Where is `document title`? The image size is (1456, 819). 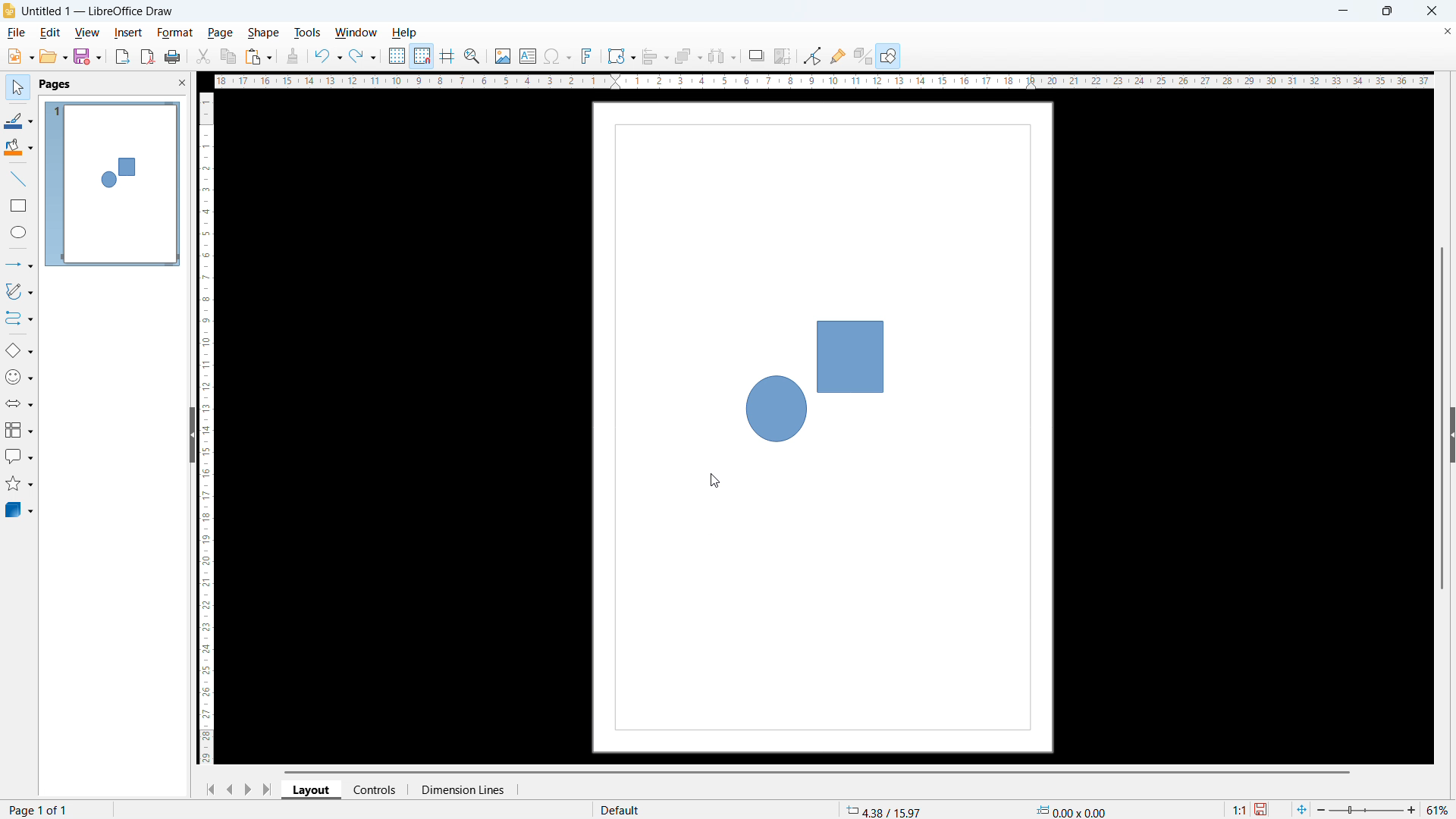 document title is located at coordinates (98, 11).